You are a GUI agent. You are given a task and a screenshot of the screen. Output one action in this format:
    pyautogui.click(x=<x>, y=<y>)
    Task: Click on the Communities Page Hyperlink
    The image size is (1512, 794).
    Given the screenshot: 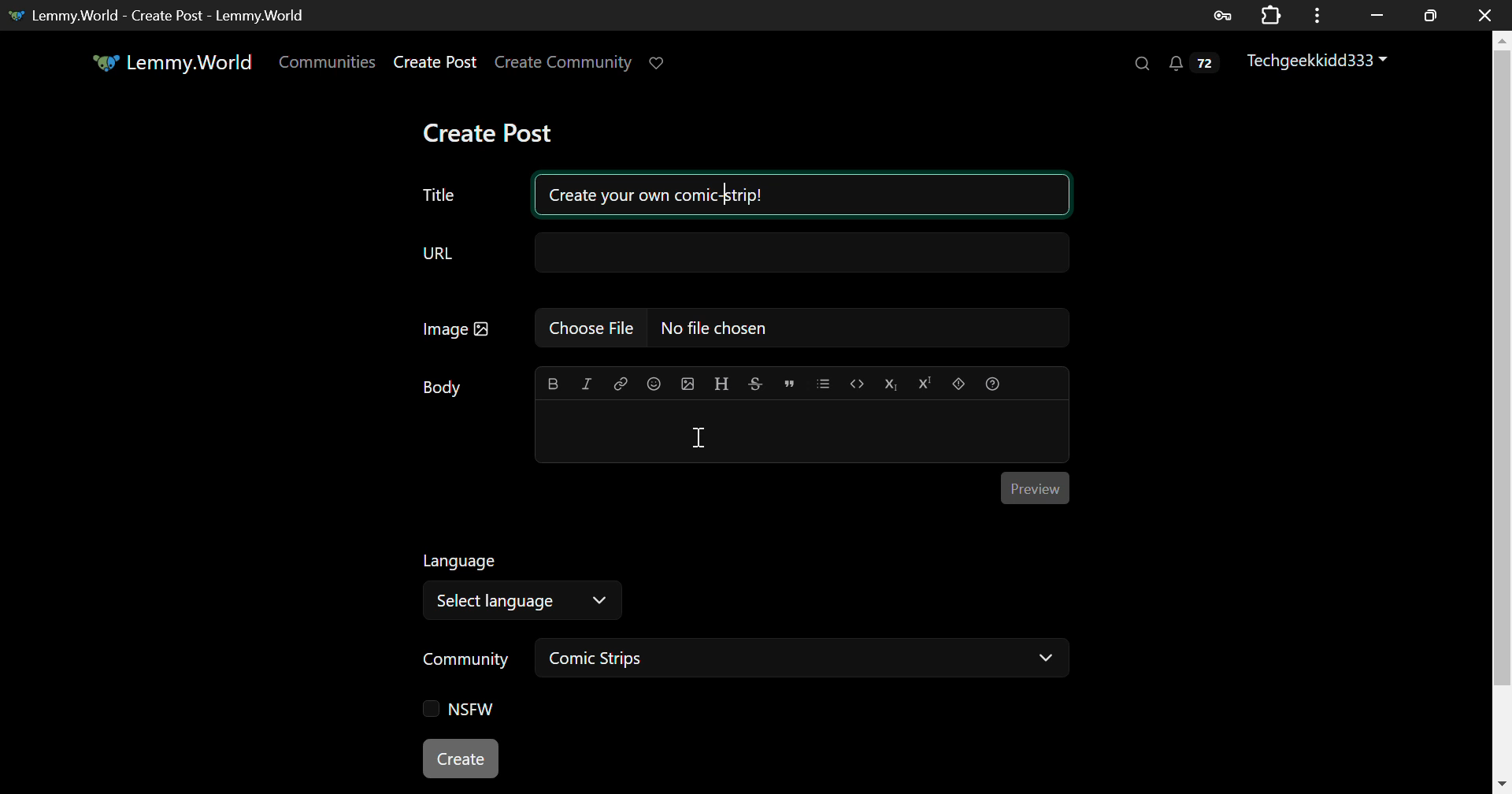 What is the action you would take?
    pyautogui.click(x=327, y=61)
    